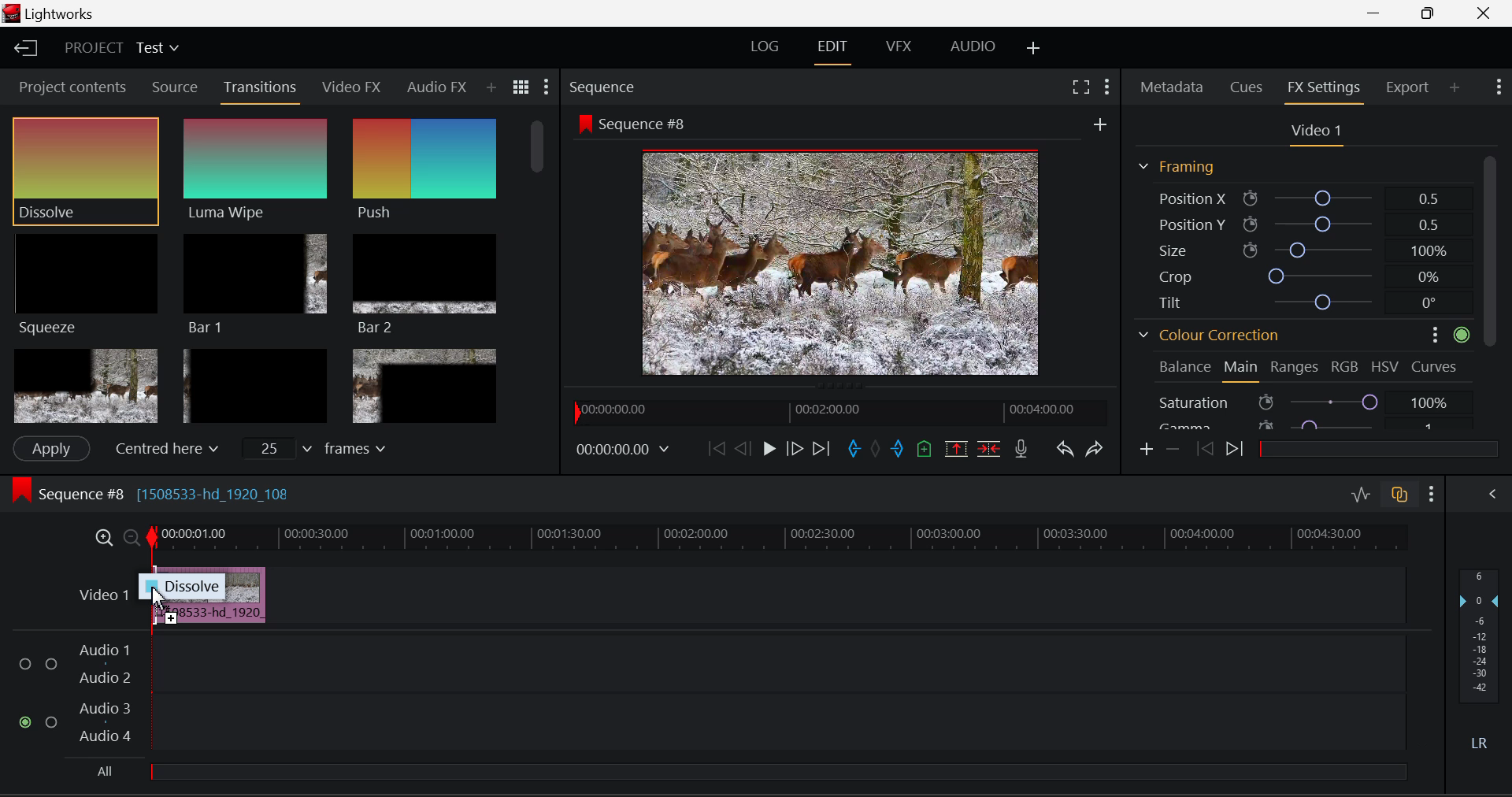 This screenshot has width=1512, height=797. Describe the element at coordinates (54, 13) in the screenshot. I see `Window Title` at that location.